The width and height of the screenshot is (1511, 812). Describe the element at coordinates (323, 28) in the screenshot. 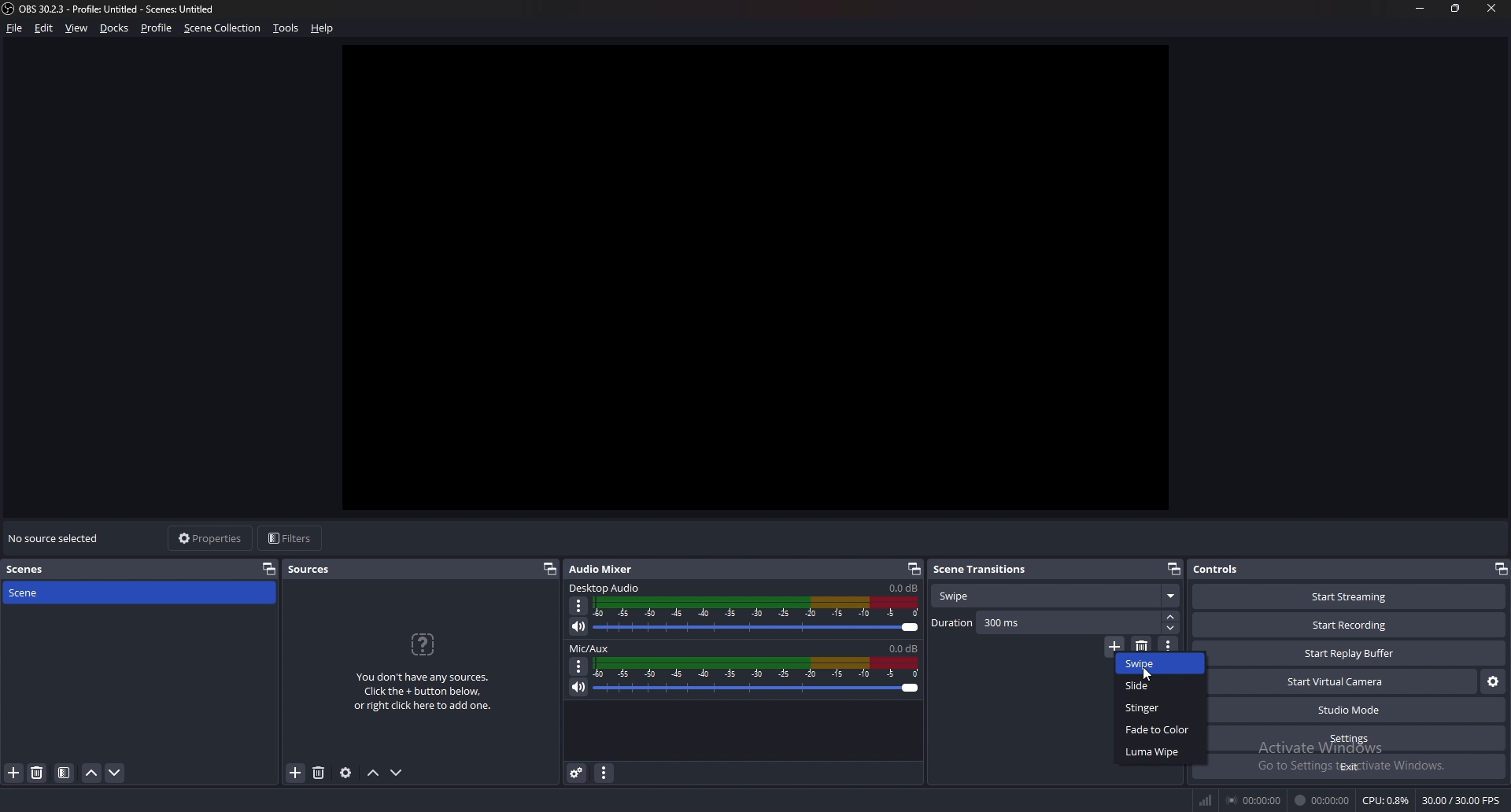

I see `help` at that location.